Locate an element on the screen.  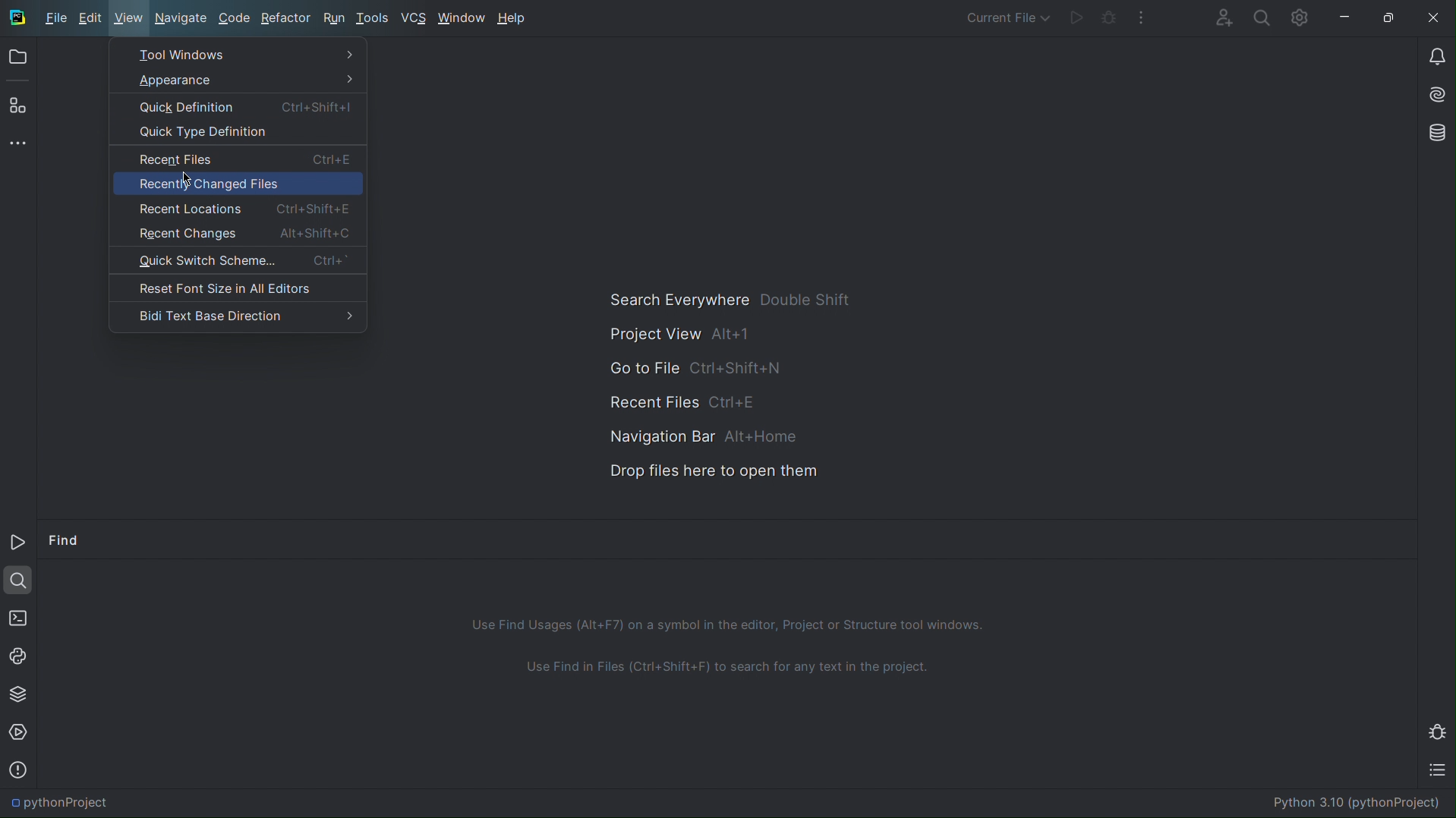
Run is located at coordinates (19, 545).